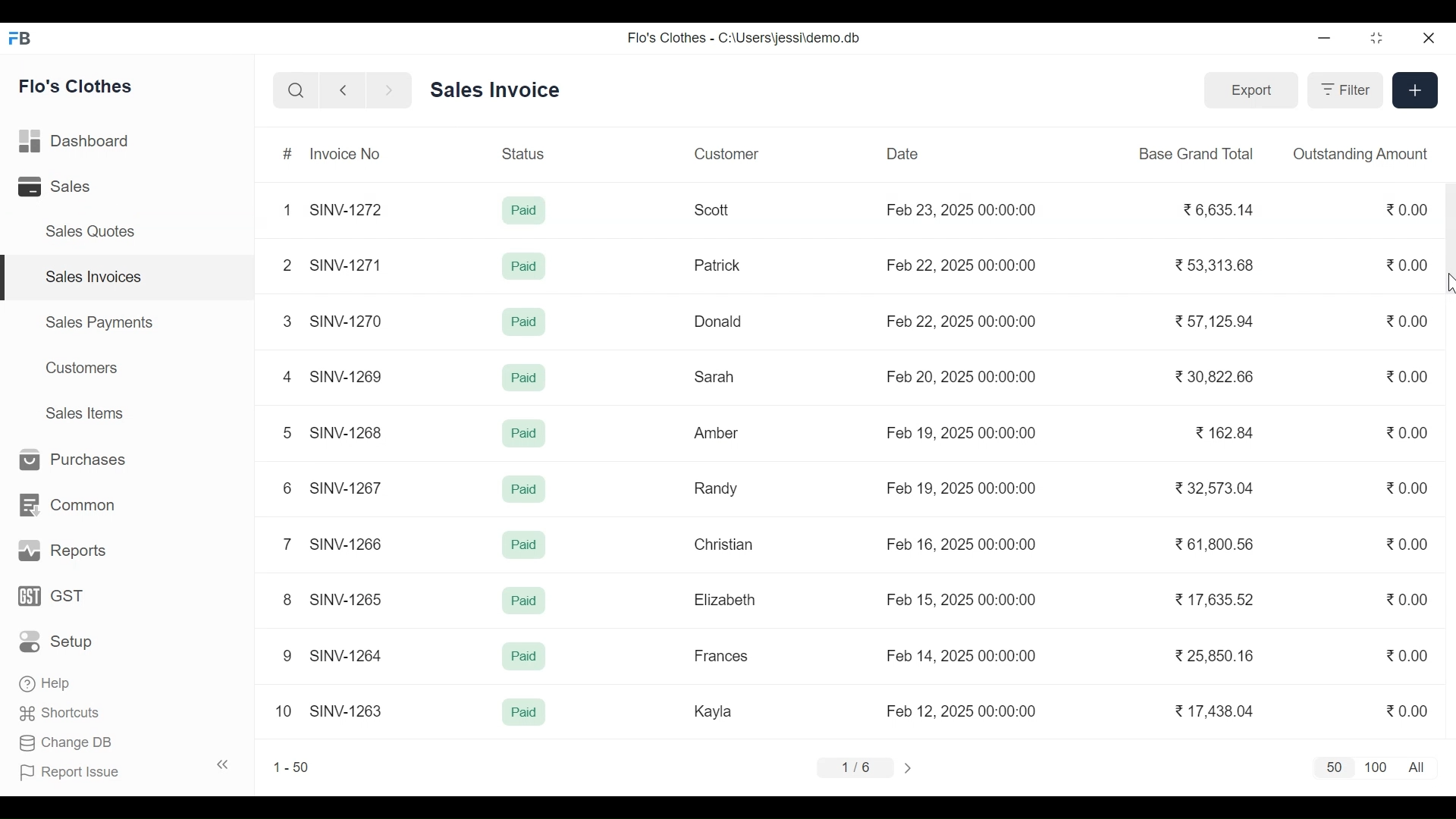 The width and height of the screenshot is (1456, 819). I want to click on 4, so click(287, 376).